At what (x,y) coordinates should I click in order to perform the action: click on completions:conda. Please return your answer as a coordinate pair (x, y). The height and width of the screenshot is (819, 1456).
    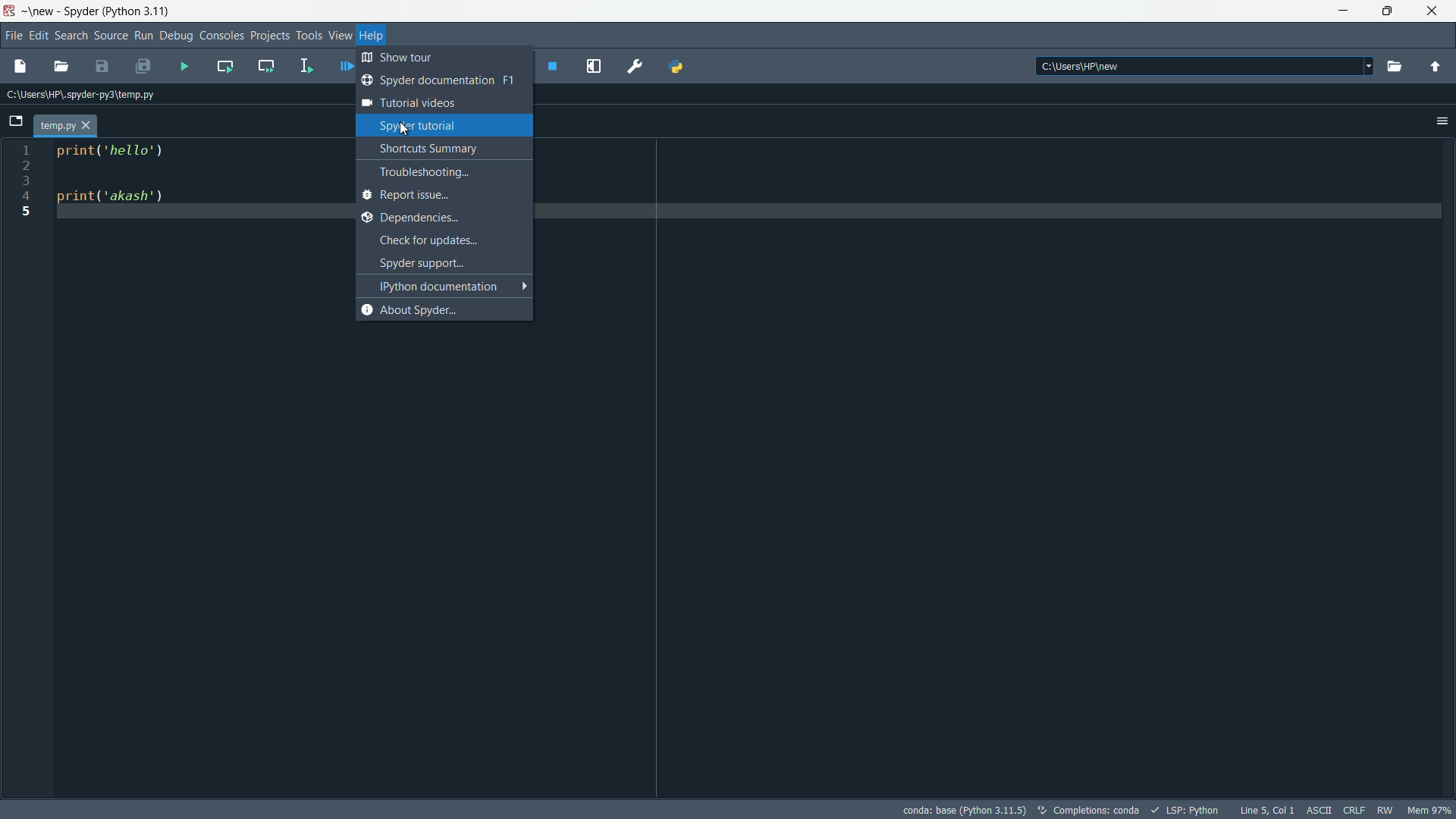
    Looking at the image, I should click on (1090, 810).